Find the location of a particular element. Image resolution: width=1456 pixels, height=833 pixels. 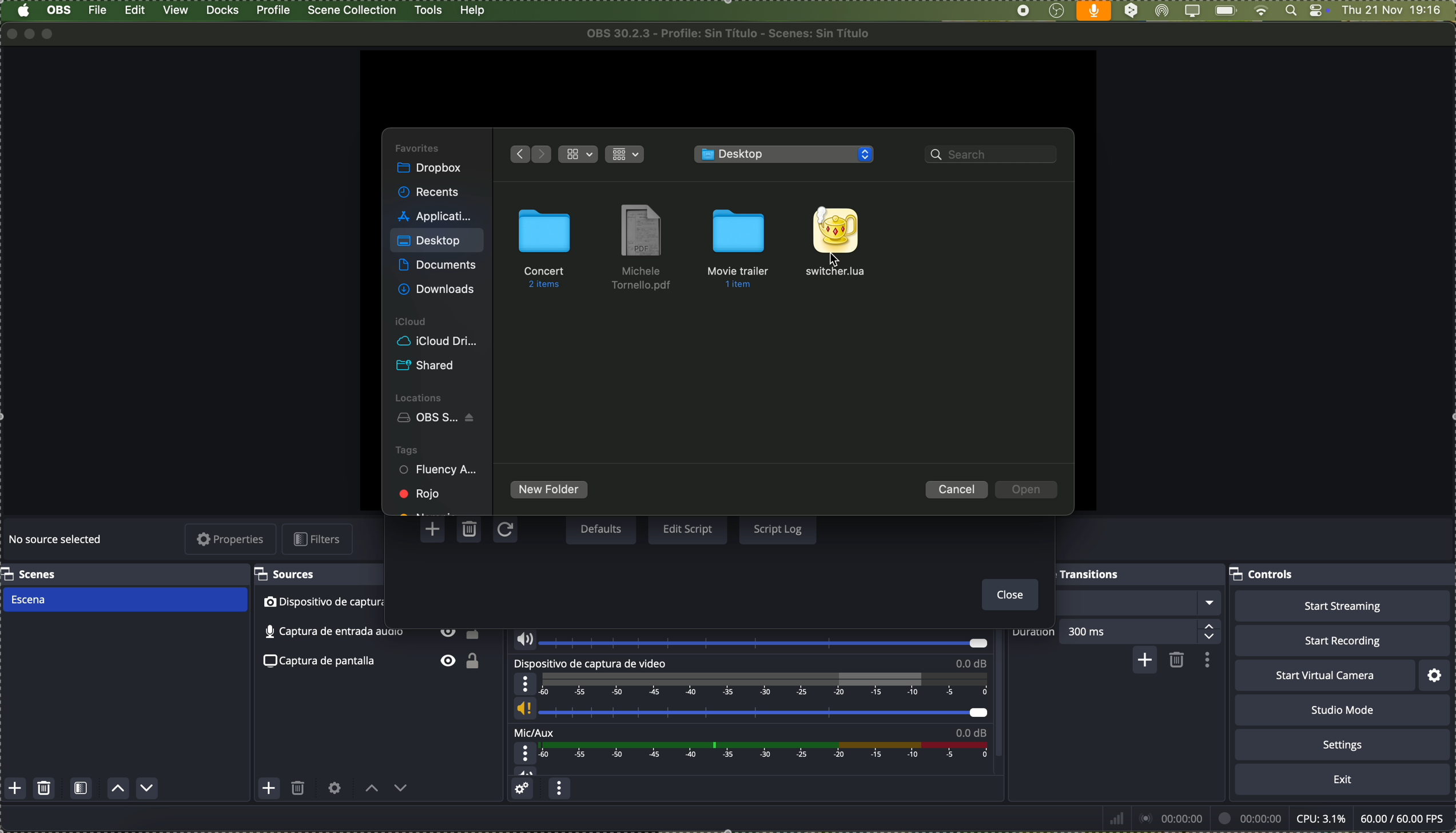

scene transitions is located at coordinates (1089, 573).